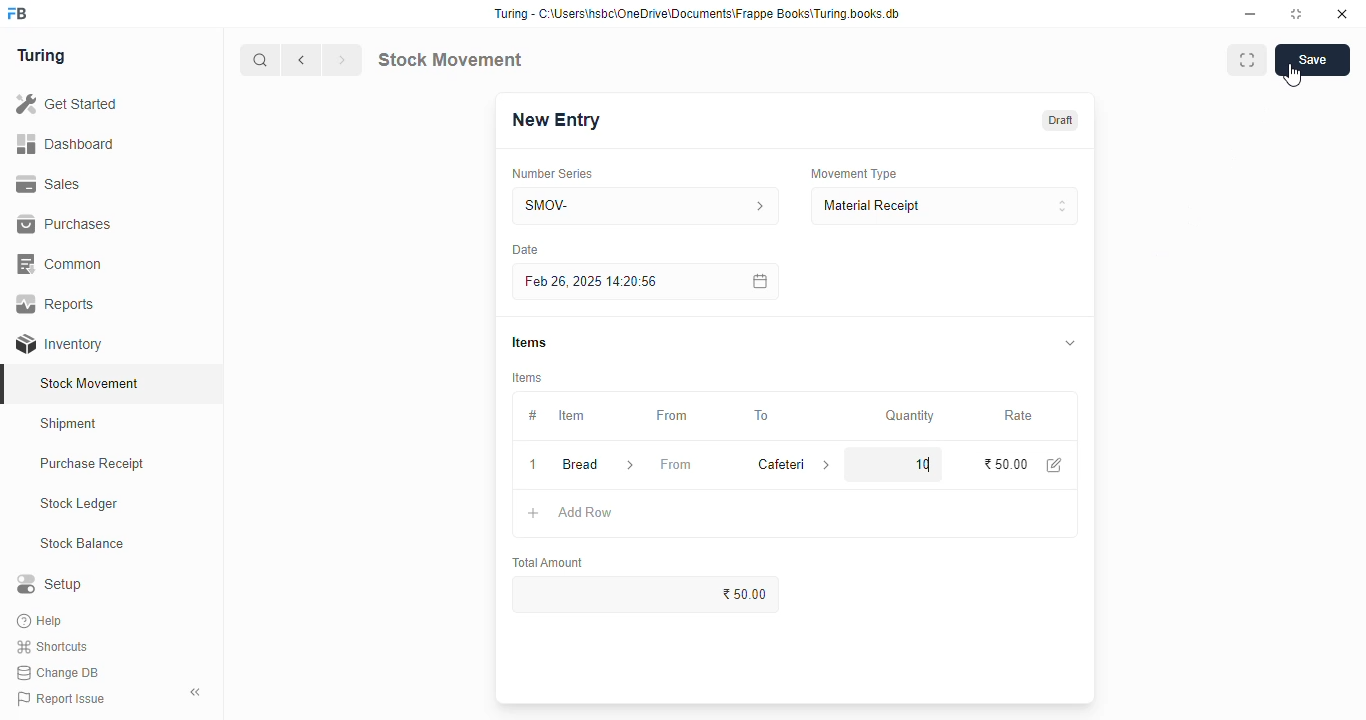  What do you see at coordinates (61, 698) in the screenshot?
I see `report issue` at bounding box center [61, 698].